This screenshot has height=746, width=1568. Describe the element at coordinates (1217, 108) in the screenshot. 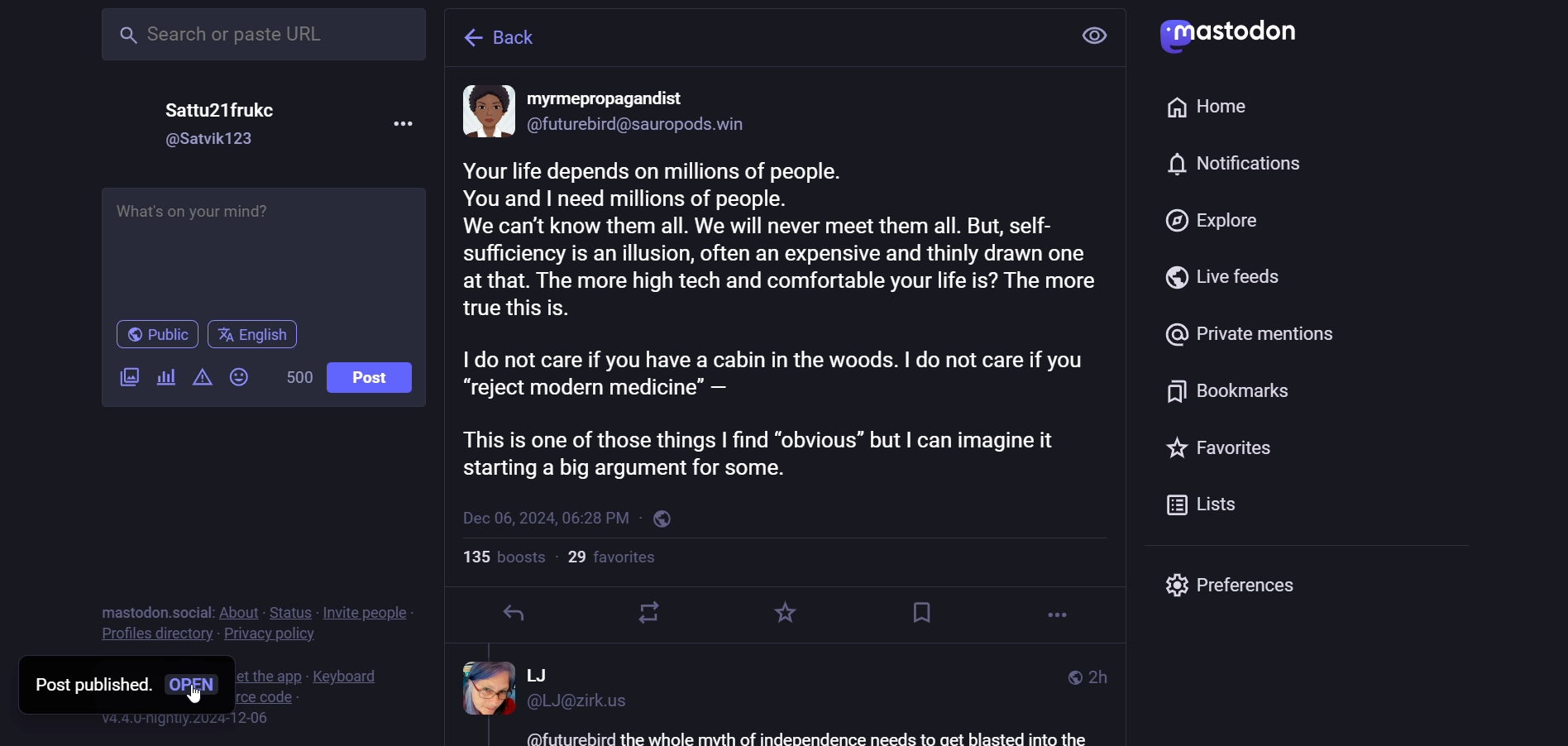

I see `home` at that location.